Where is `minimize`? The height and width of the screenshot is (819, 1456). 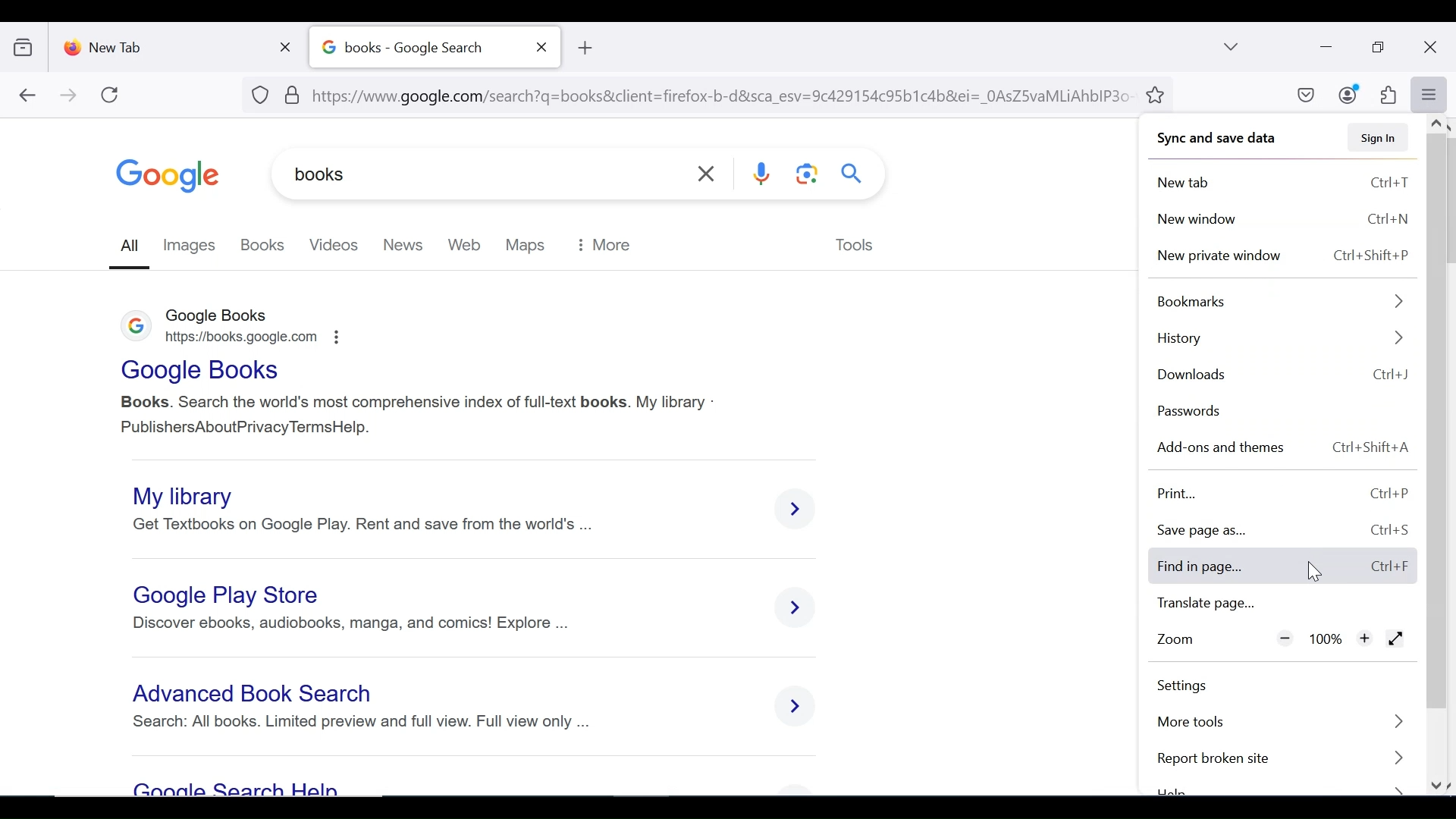
minimize is located at coordinates (1324, 45).